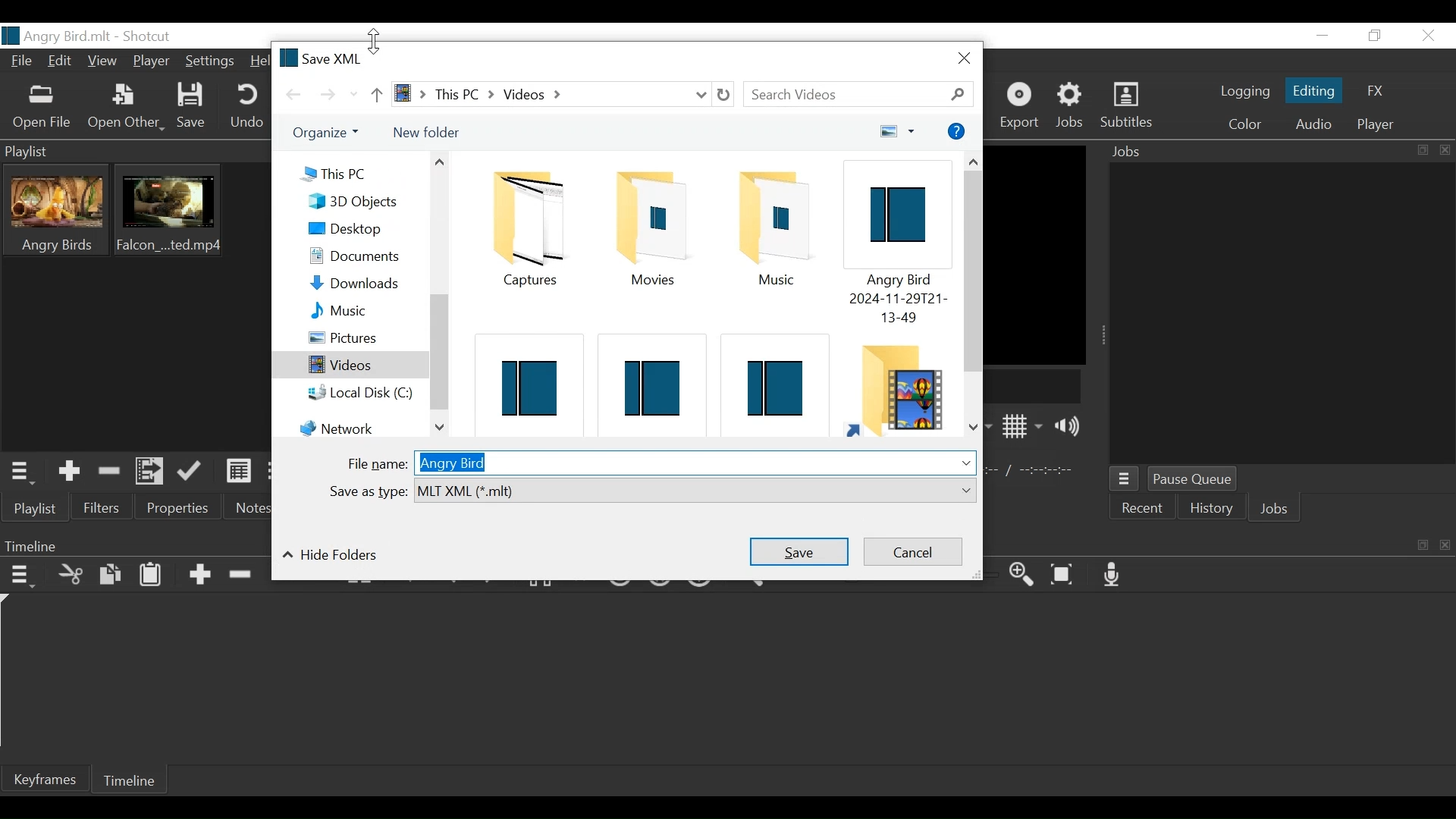  Describe the element at coordinates (1144, 510) in the screenshot. I see `Recent` at that location.